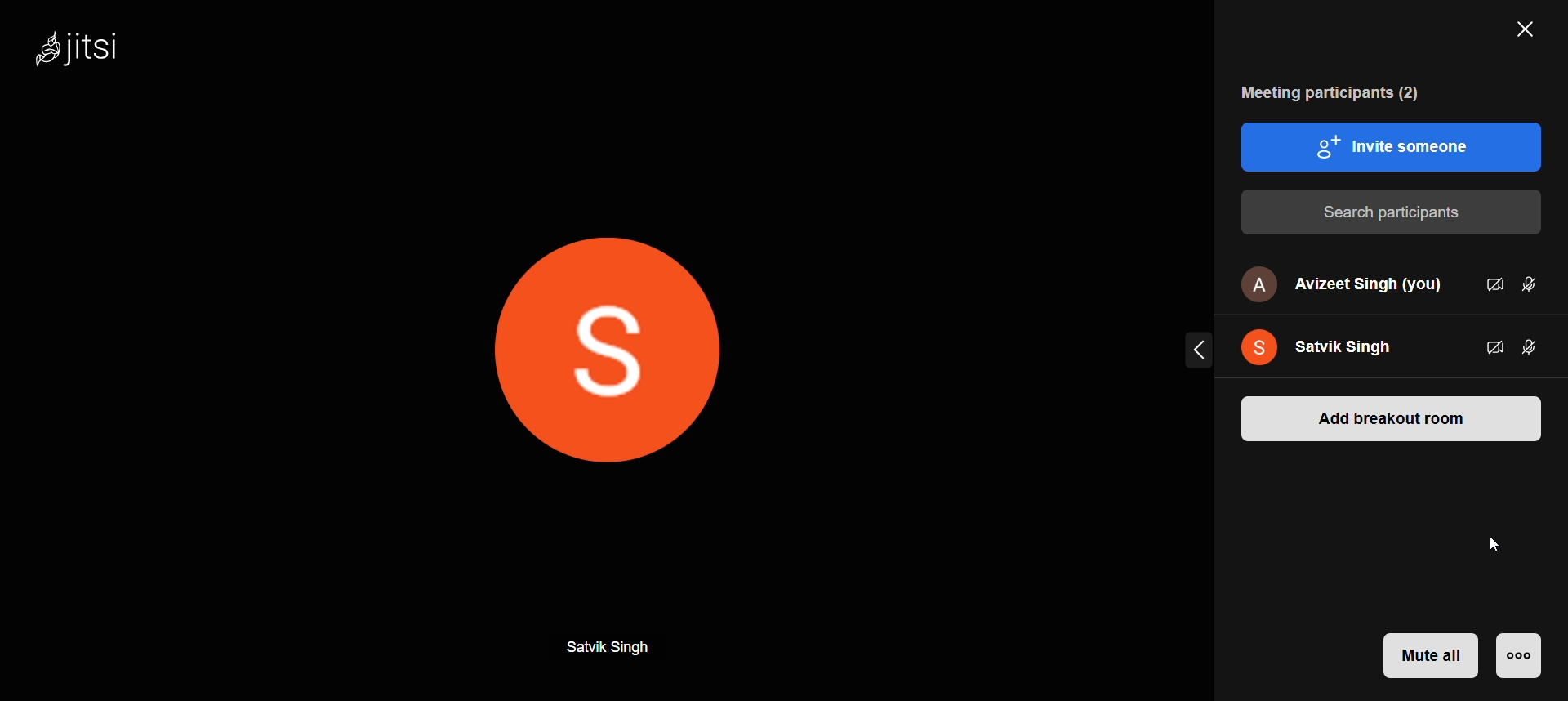  What do you see at coordinates (1395, 146) in the screenshot?
I see `invite people` at bounding box center [1395, 146].